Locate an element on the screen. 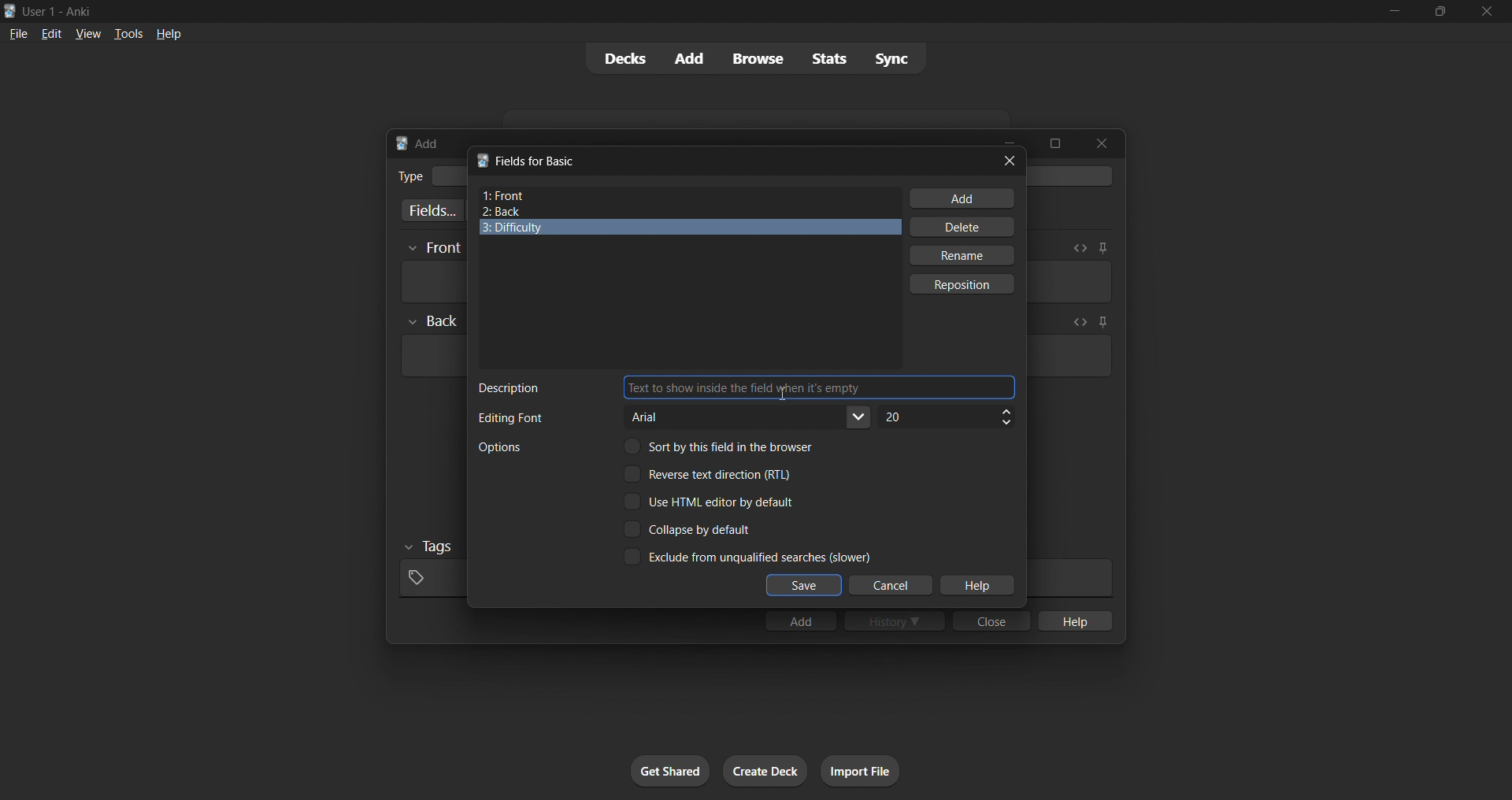  back field is located at coordinates (684, 212).